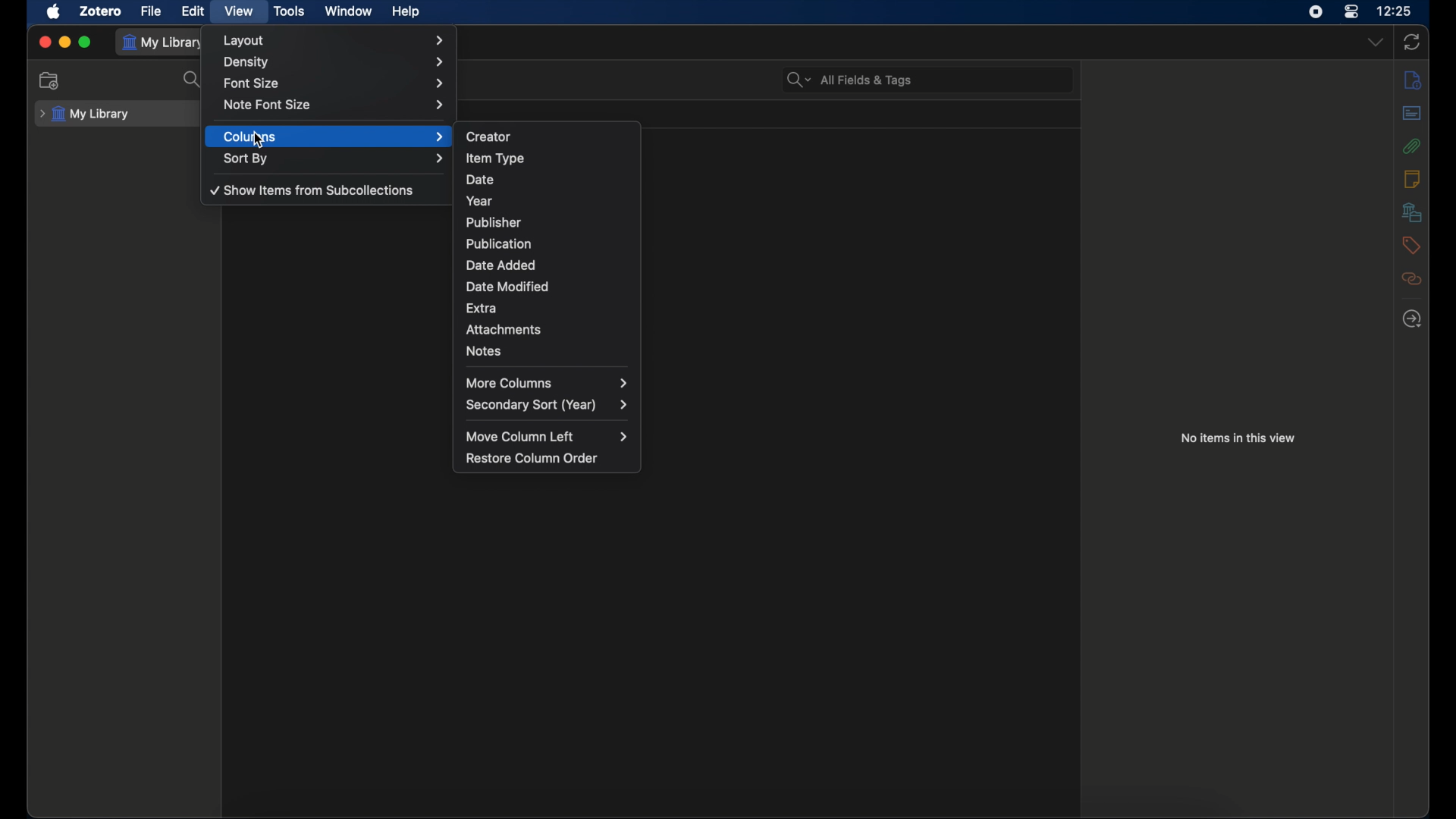 The height and width of the screenshot is (819, 1456). I want to click on window, so click(349, 11).